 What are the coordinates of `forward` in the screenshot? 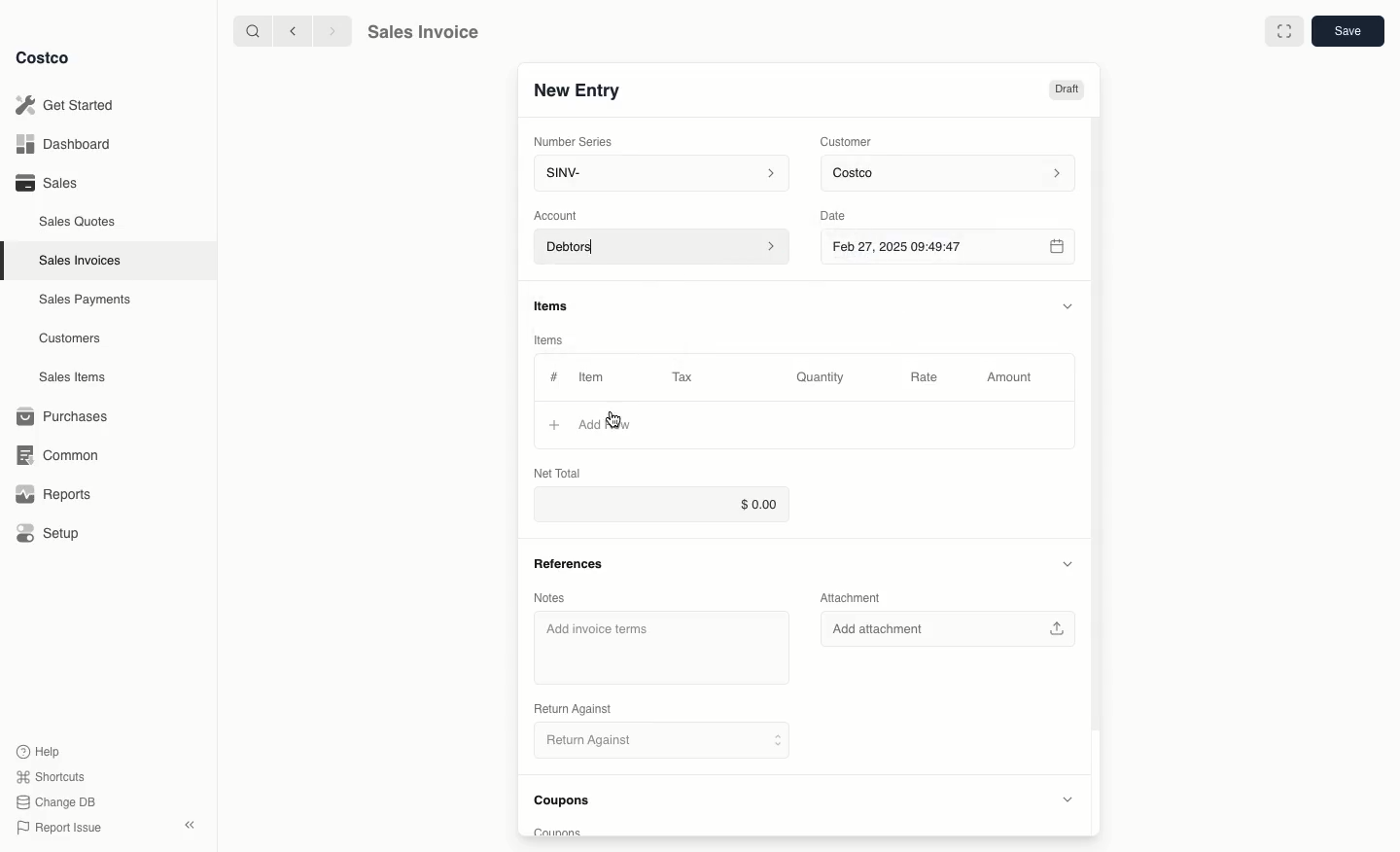 It's located at (330, 30).